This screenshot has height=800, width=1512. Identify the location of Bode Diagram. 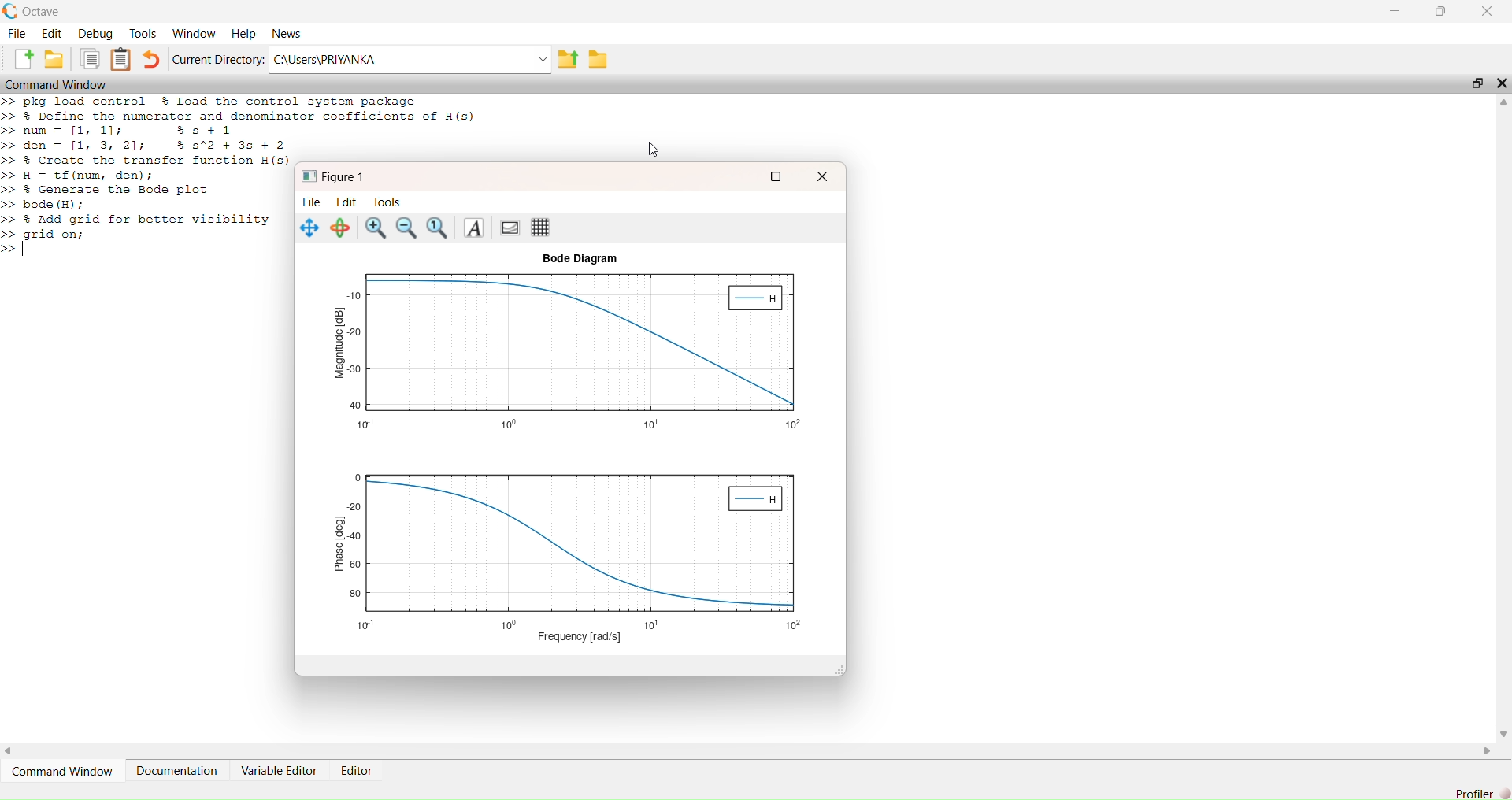
(580, 259).